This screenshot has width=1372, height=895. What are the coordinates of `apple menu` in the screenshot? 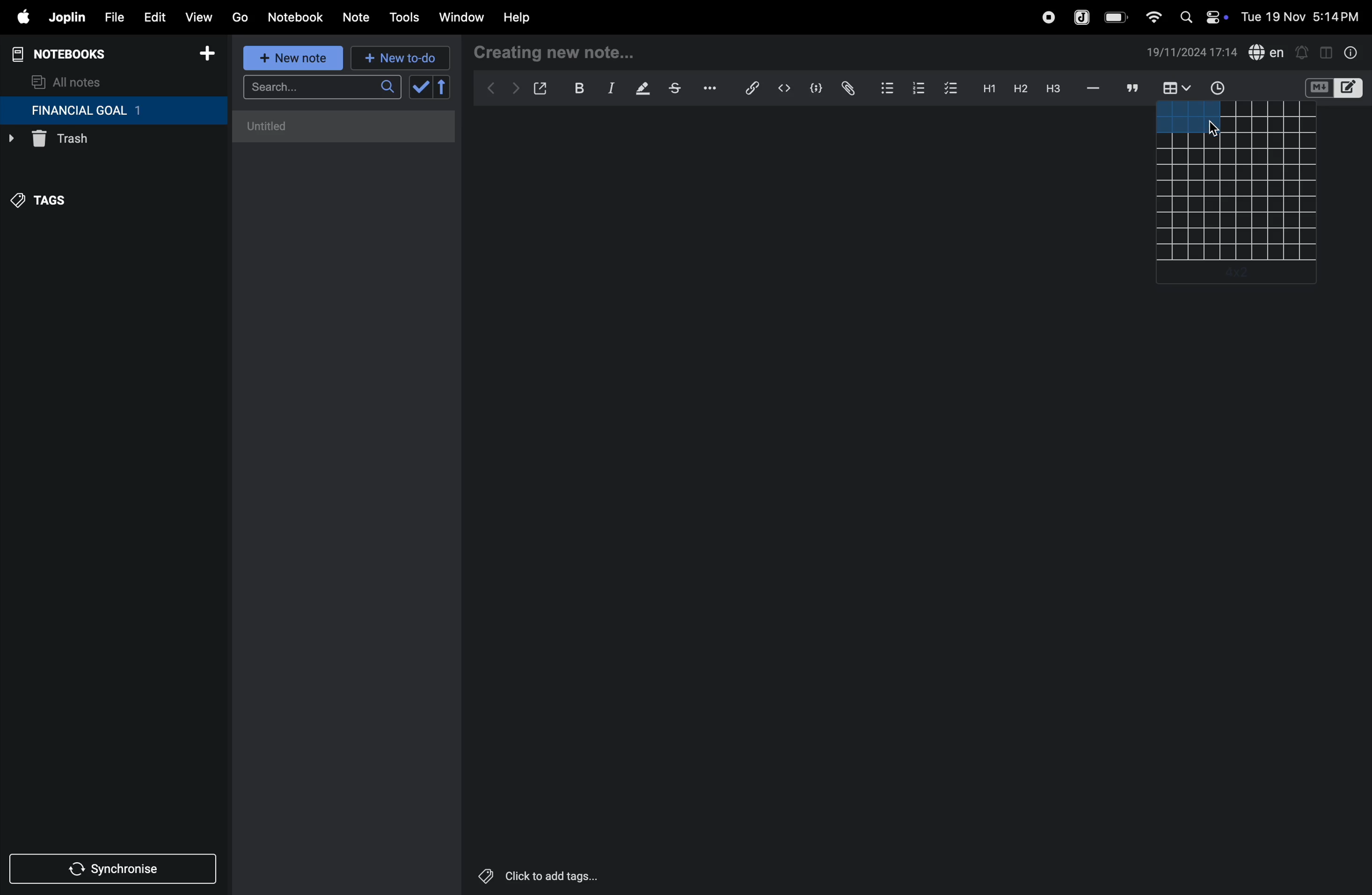 It's located at (17, 17).